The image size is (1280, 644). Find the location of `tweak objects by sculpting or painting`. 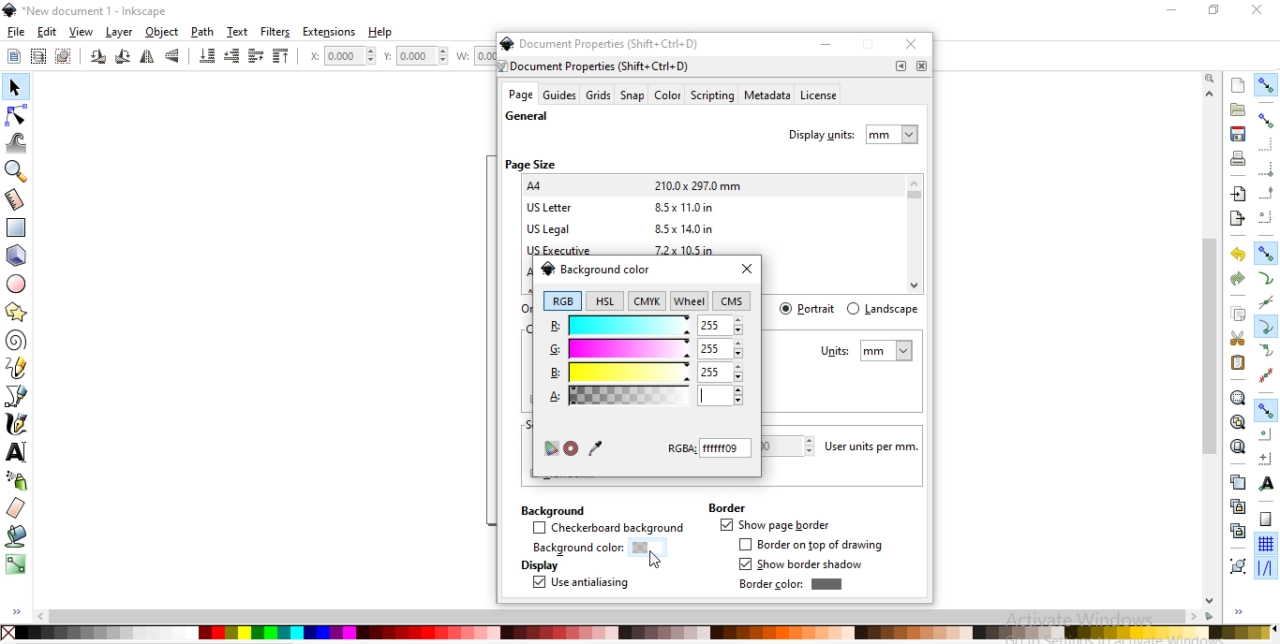

tweak objects by sculpting or painting is located at coordinates (18, 142).